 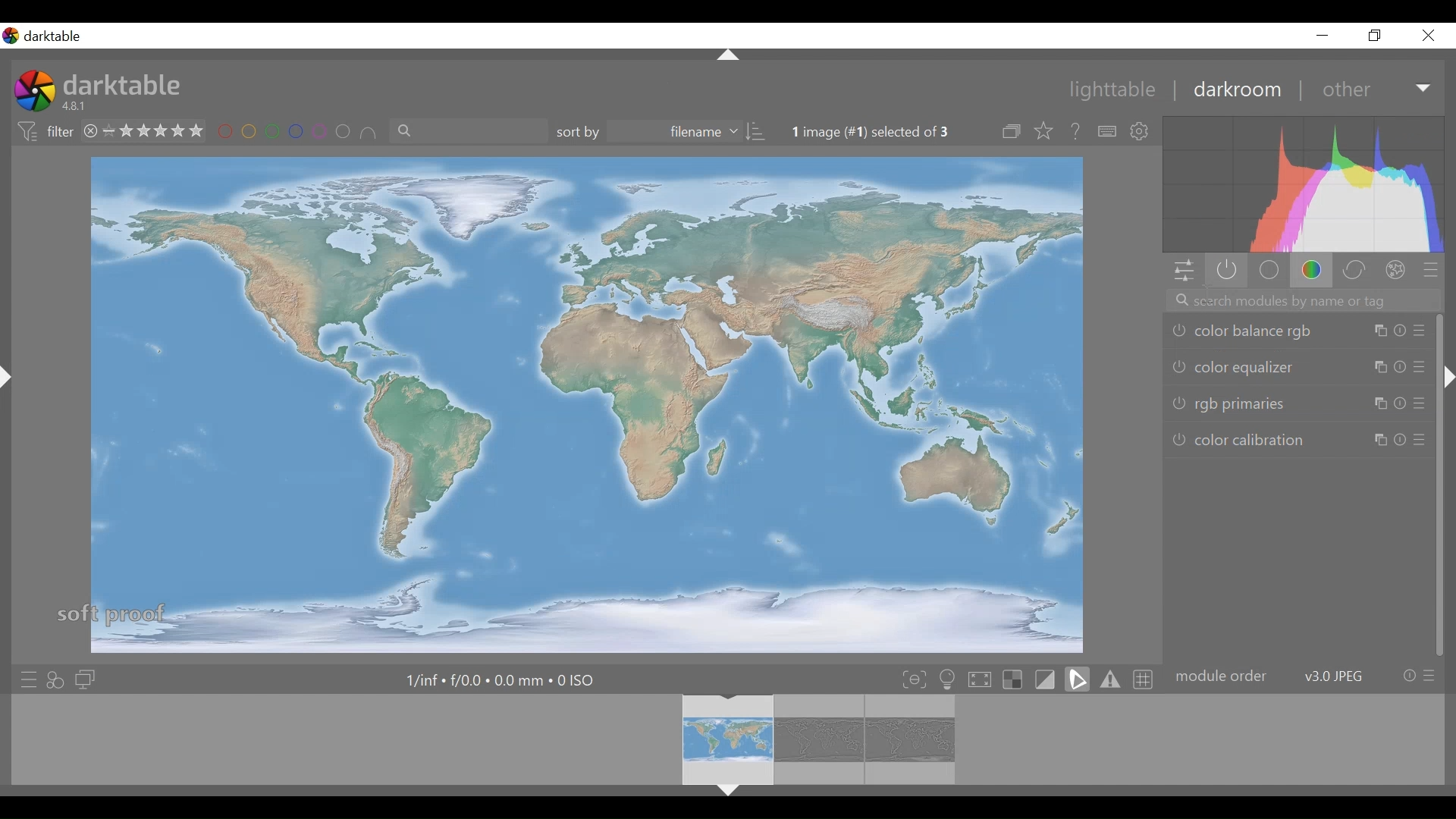 I want to click on image selected out of, so click(x=884, y=132).